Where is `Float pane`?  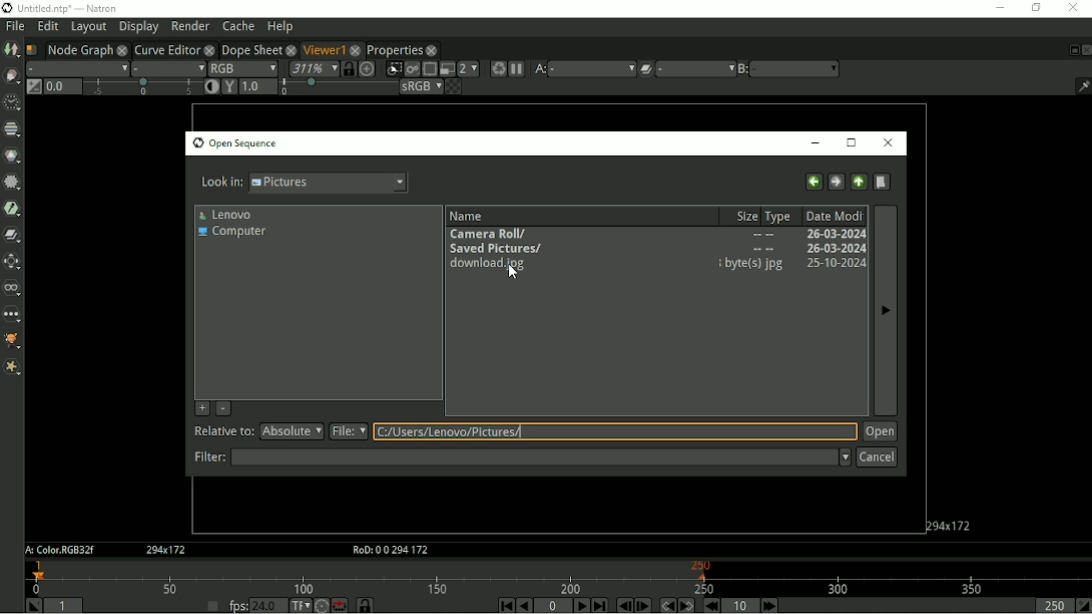 Float pane is located at coordinates (1071, 50).